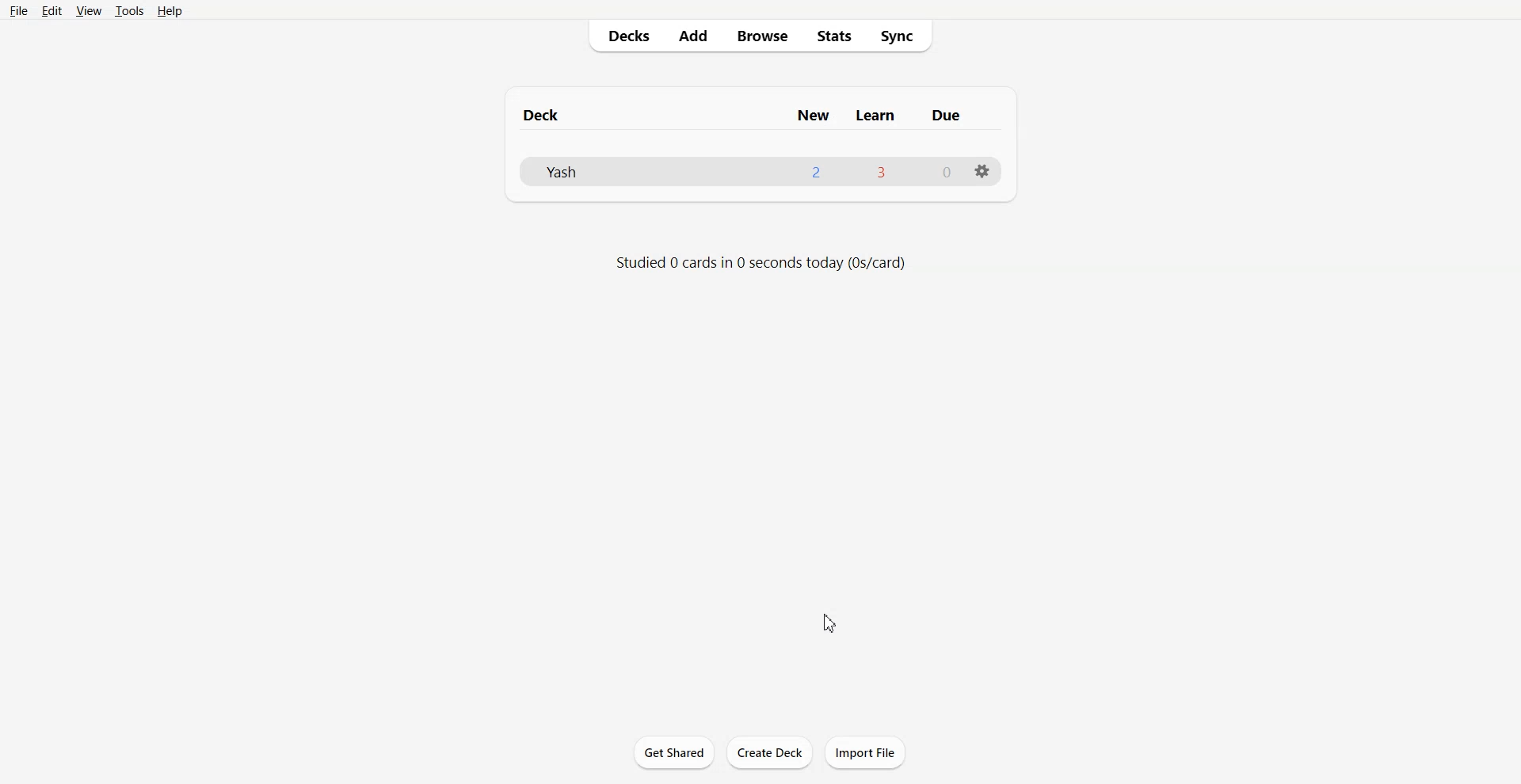  What do you see at coordinates (763, 36) in the screenshot?
I see `Browse` at bounding box center [763, 36].